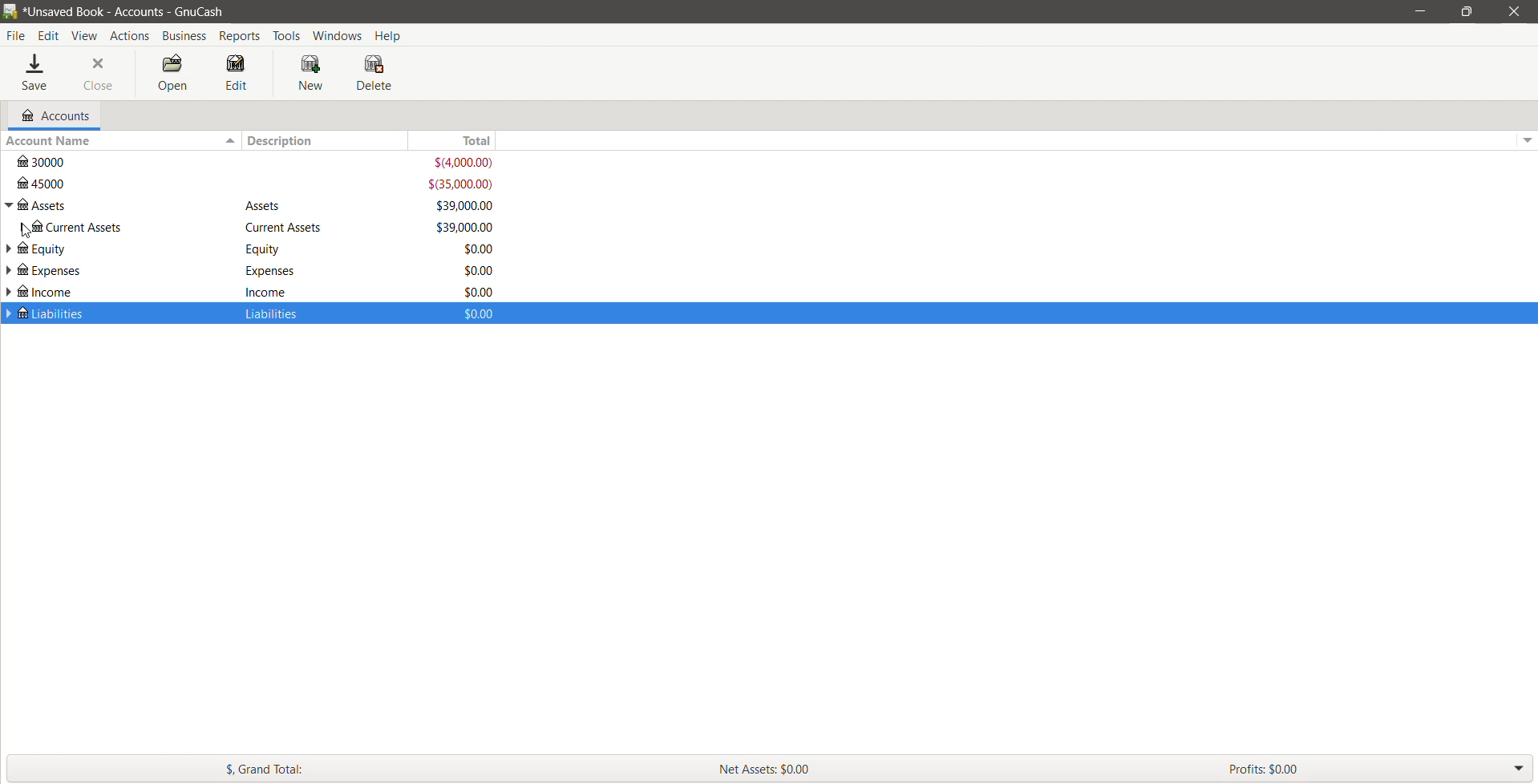 Image resolution: width=1538 pixels, height=784 pixels. What do you see at coordinates (97, 72) in the screenshot?
I see `Close` at bounding box center [97, 72].